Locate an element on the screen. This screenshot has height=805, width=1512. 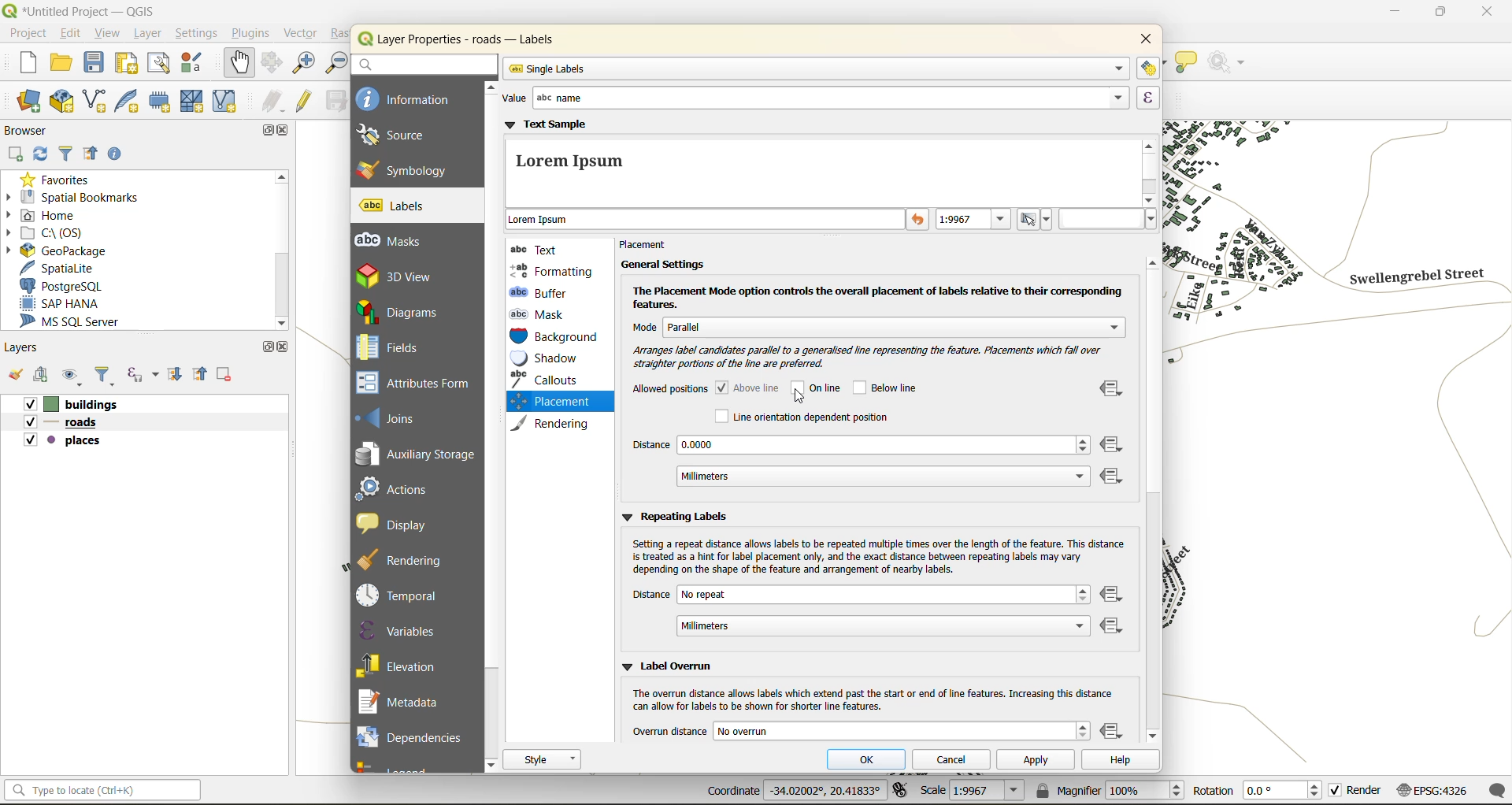
favorites is located at coordinates (59, 181).